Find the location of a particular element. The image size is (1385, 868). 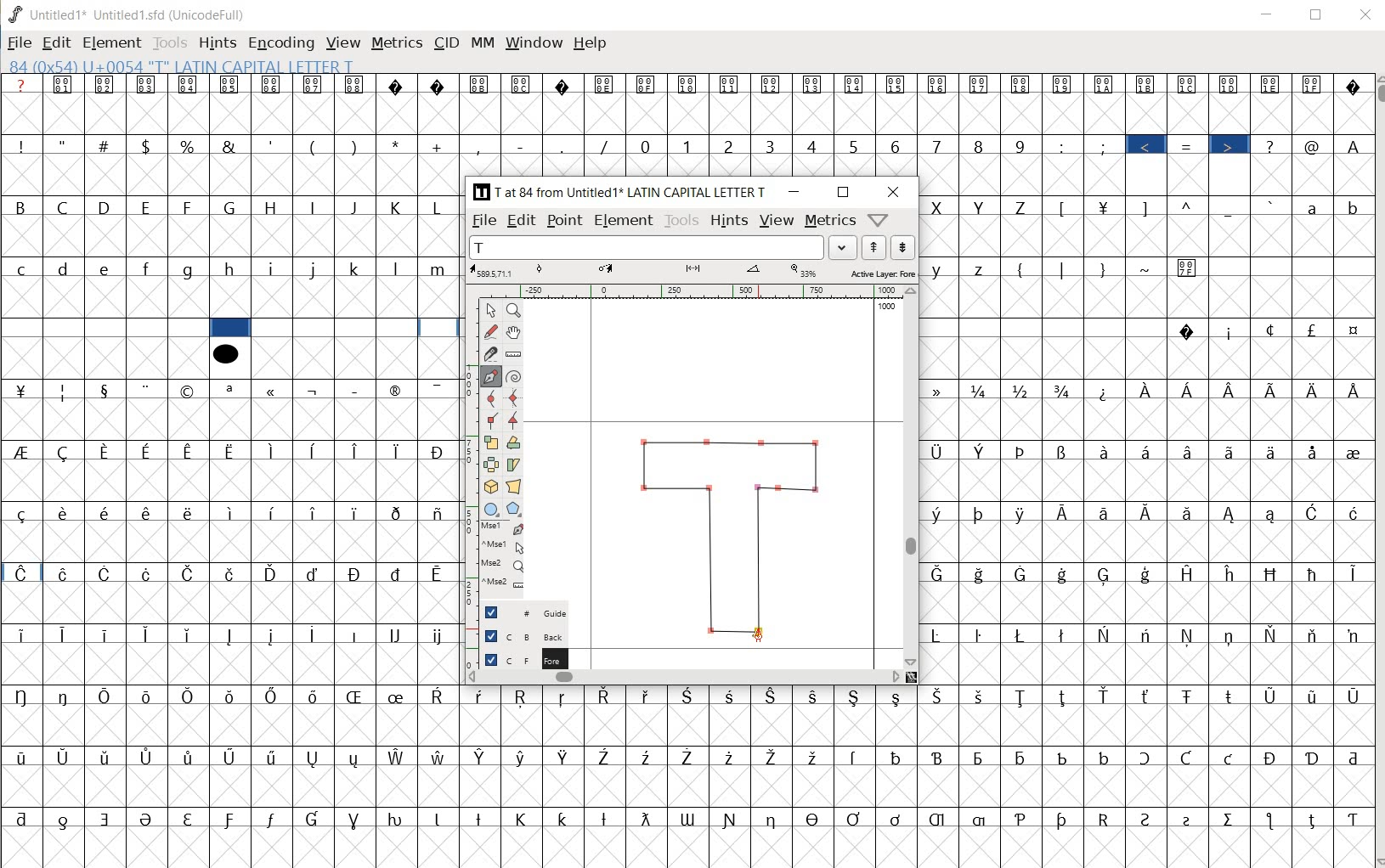

Symbol is located at coordinates (149, 390).